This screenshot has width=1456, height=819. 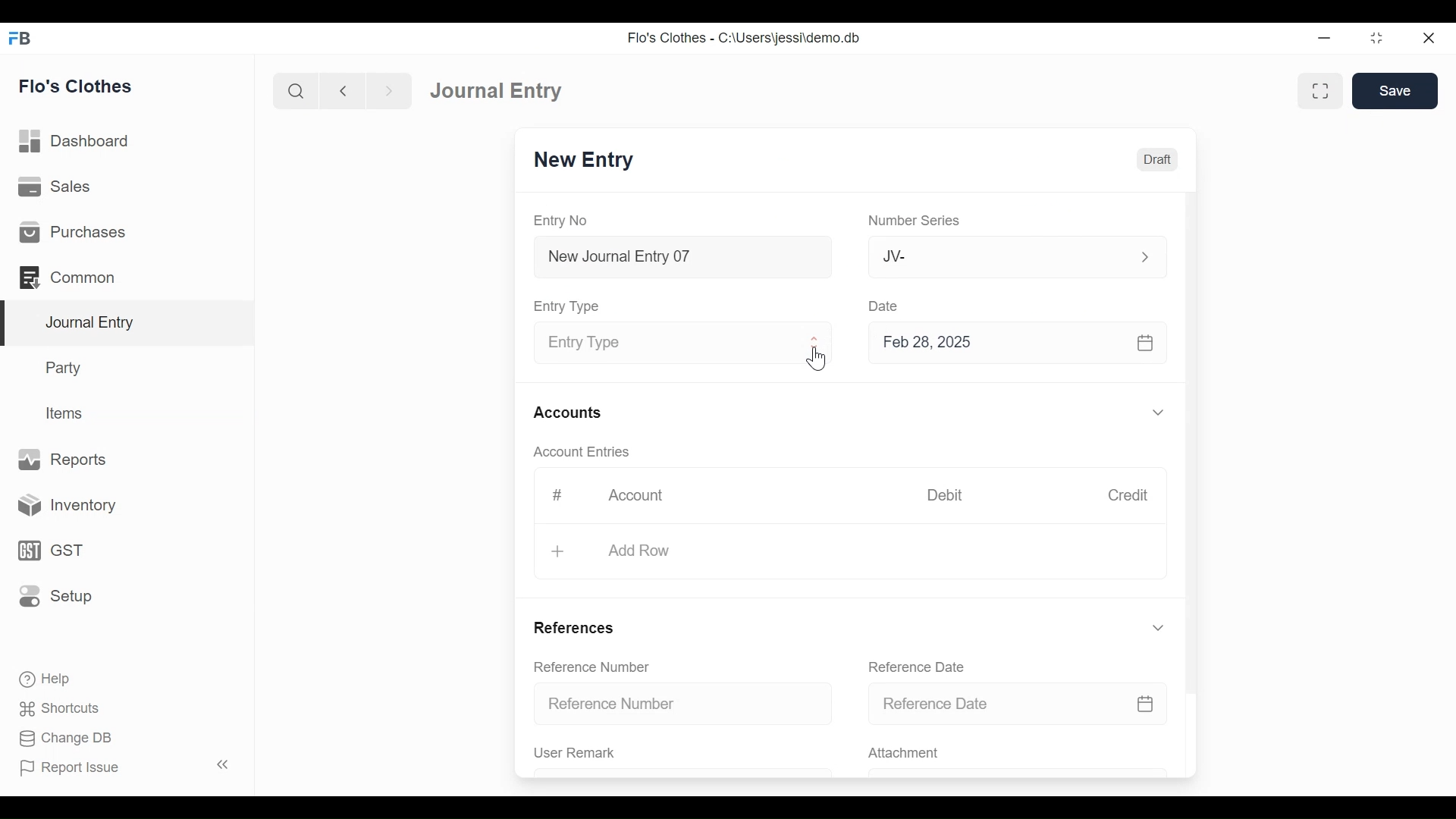 I want to click on Debit, so click(x=943, y=495).